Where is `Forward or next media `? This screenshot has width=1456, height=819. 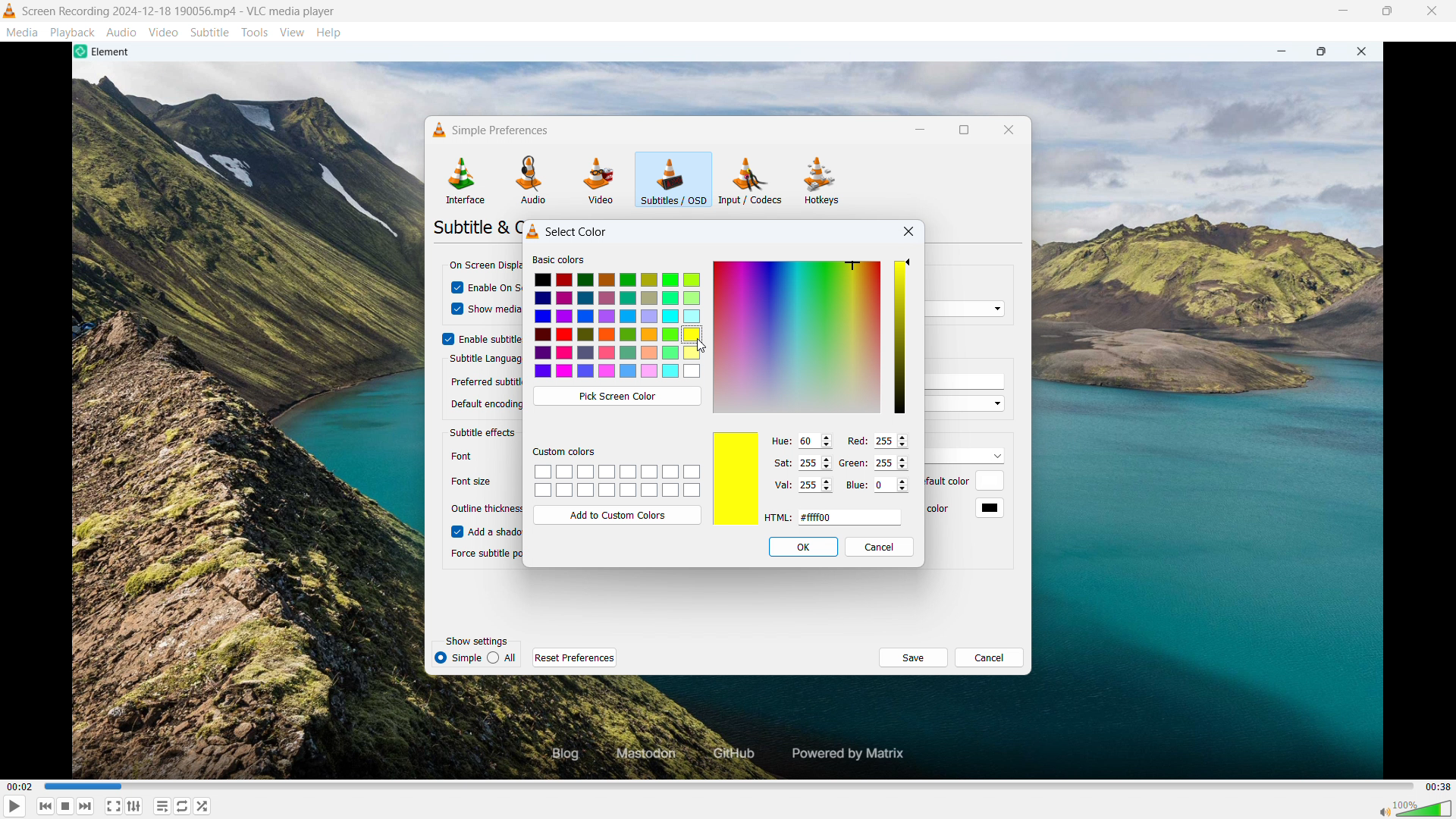 Forward or next media  is located at coordinates (66, 806).